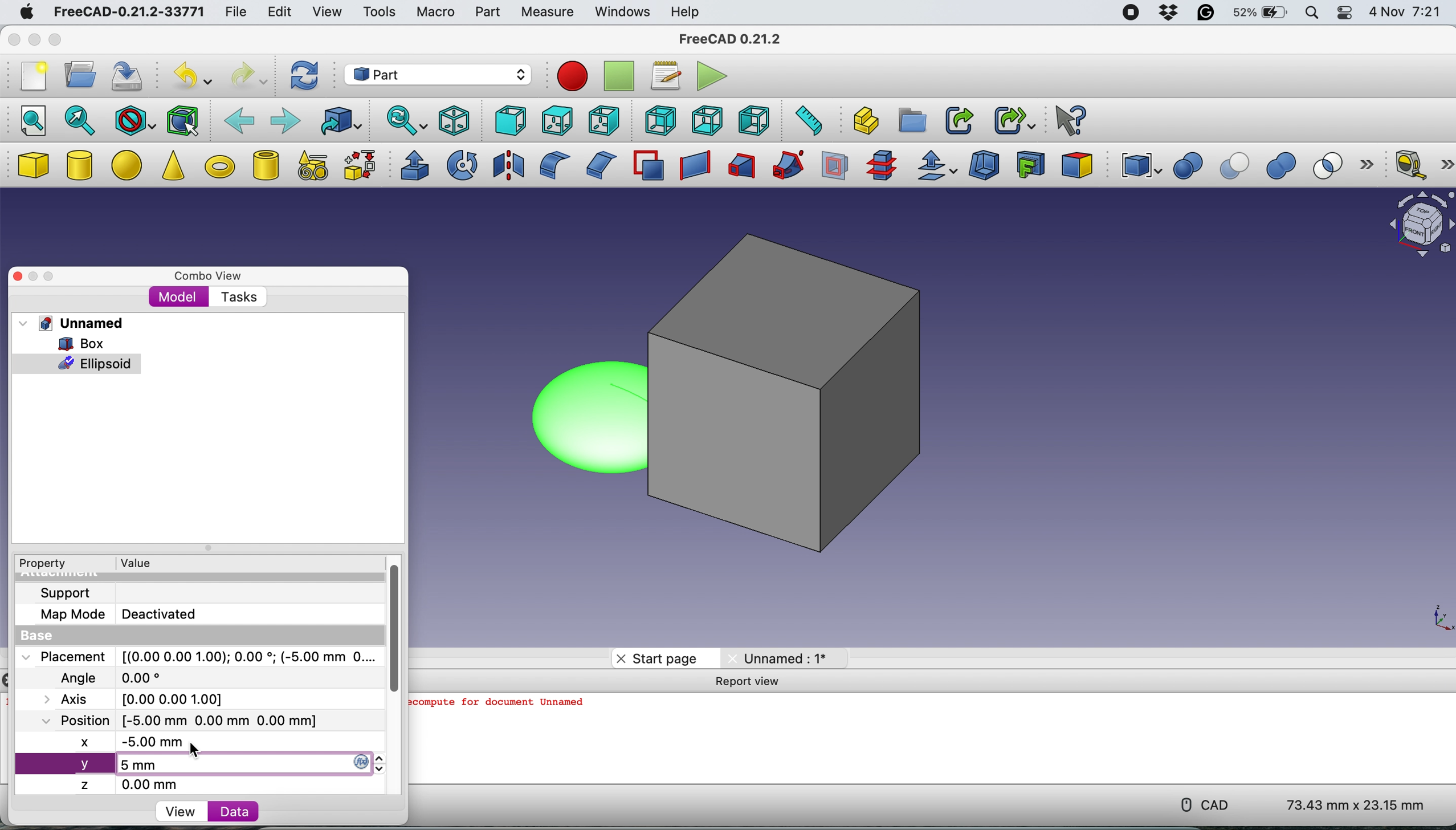  Describe the element at coordinates (648, 165) in the screenshot. I see `make face from wires` at that location.